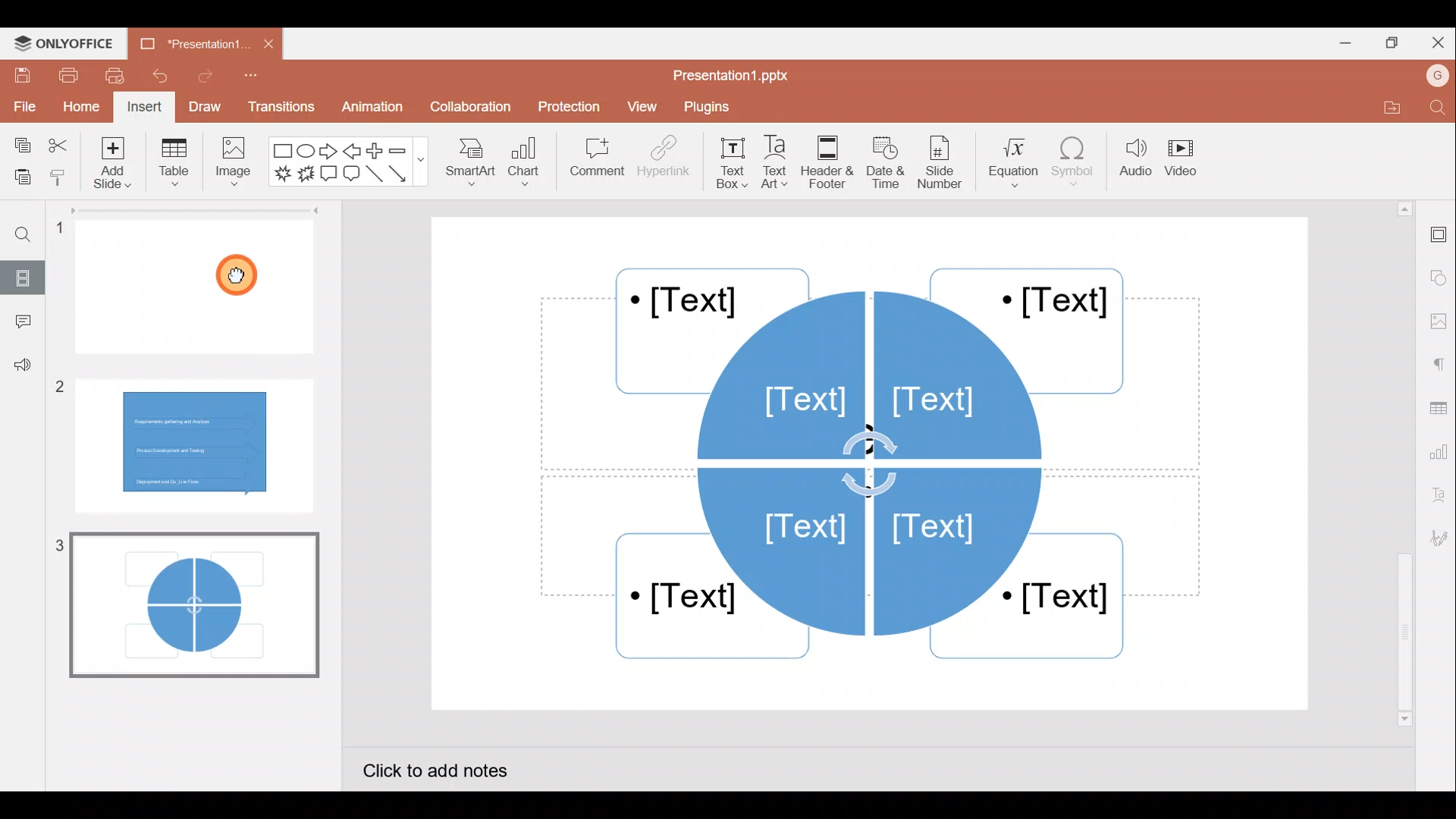 The width and height of the screenshot is (1456, 819). Describe the element at coordinates (158, 77) in the screenshot. I see `Undo` at that location.